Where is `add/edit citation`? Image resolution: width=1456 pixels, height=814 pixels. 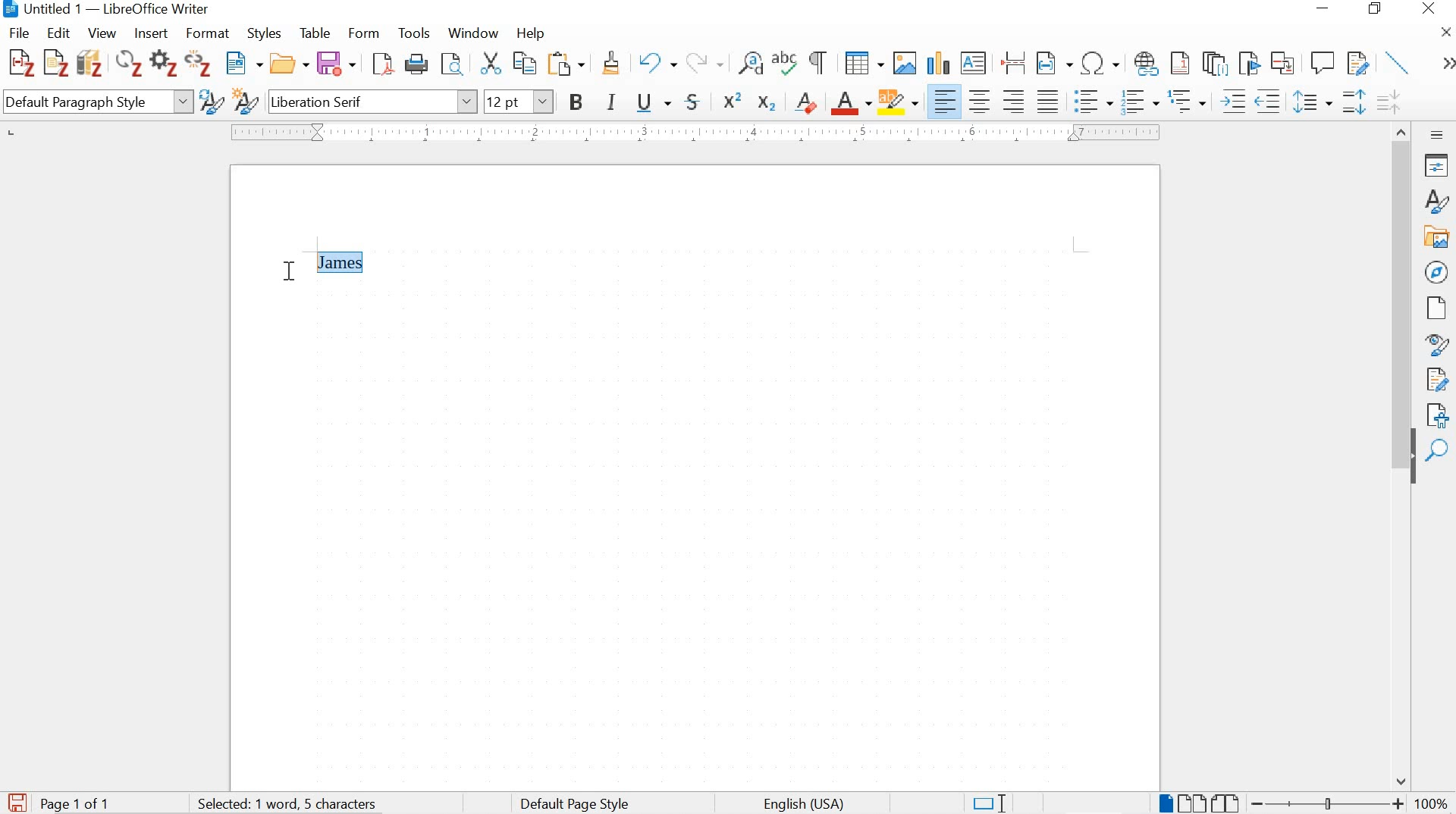
add/edit citation is located at coordinates (21, 64).